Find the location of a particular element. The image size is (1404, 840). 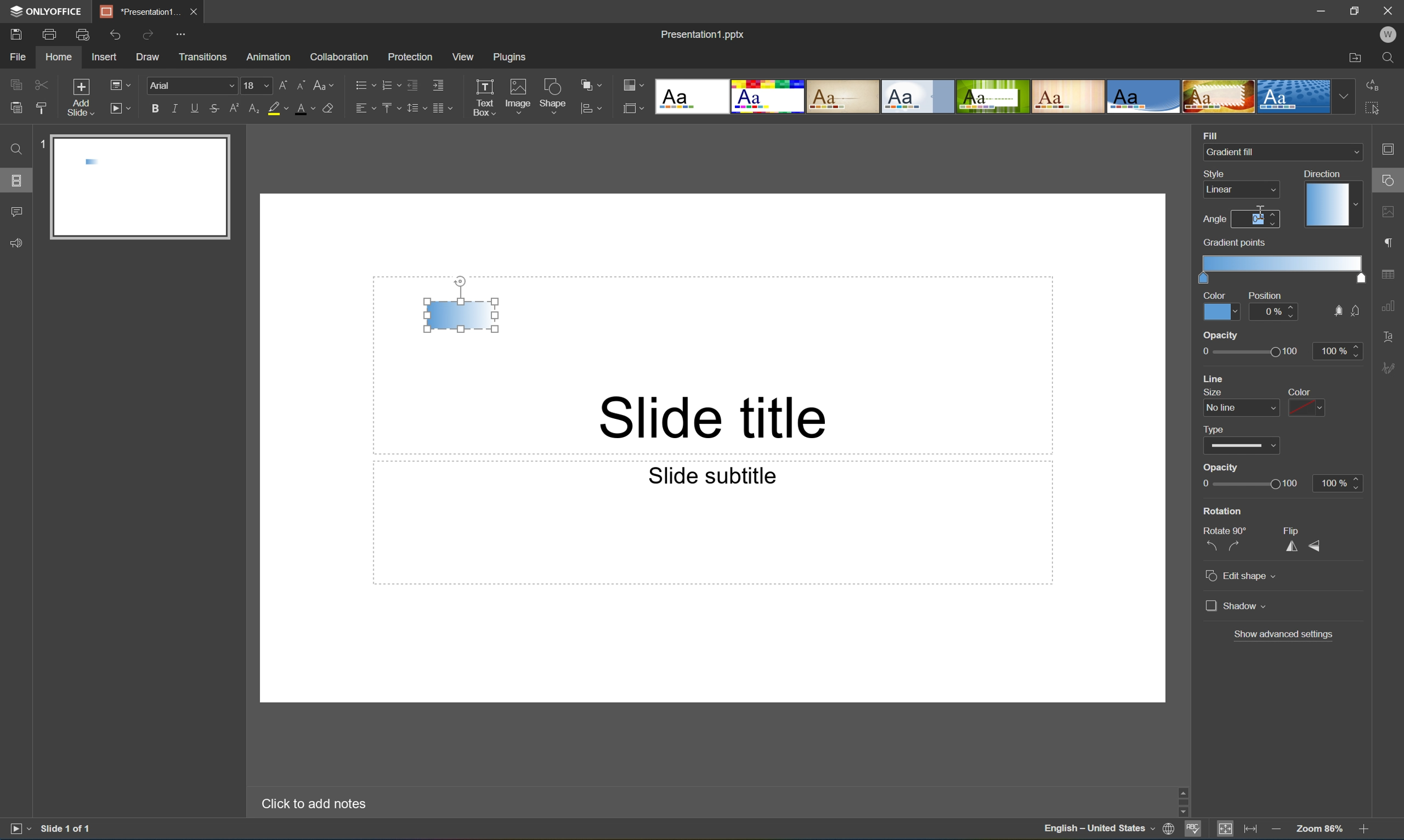

Comments is located at coordinates (16, 212).